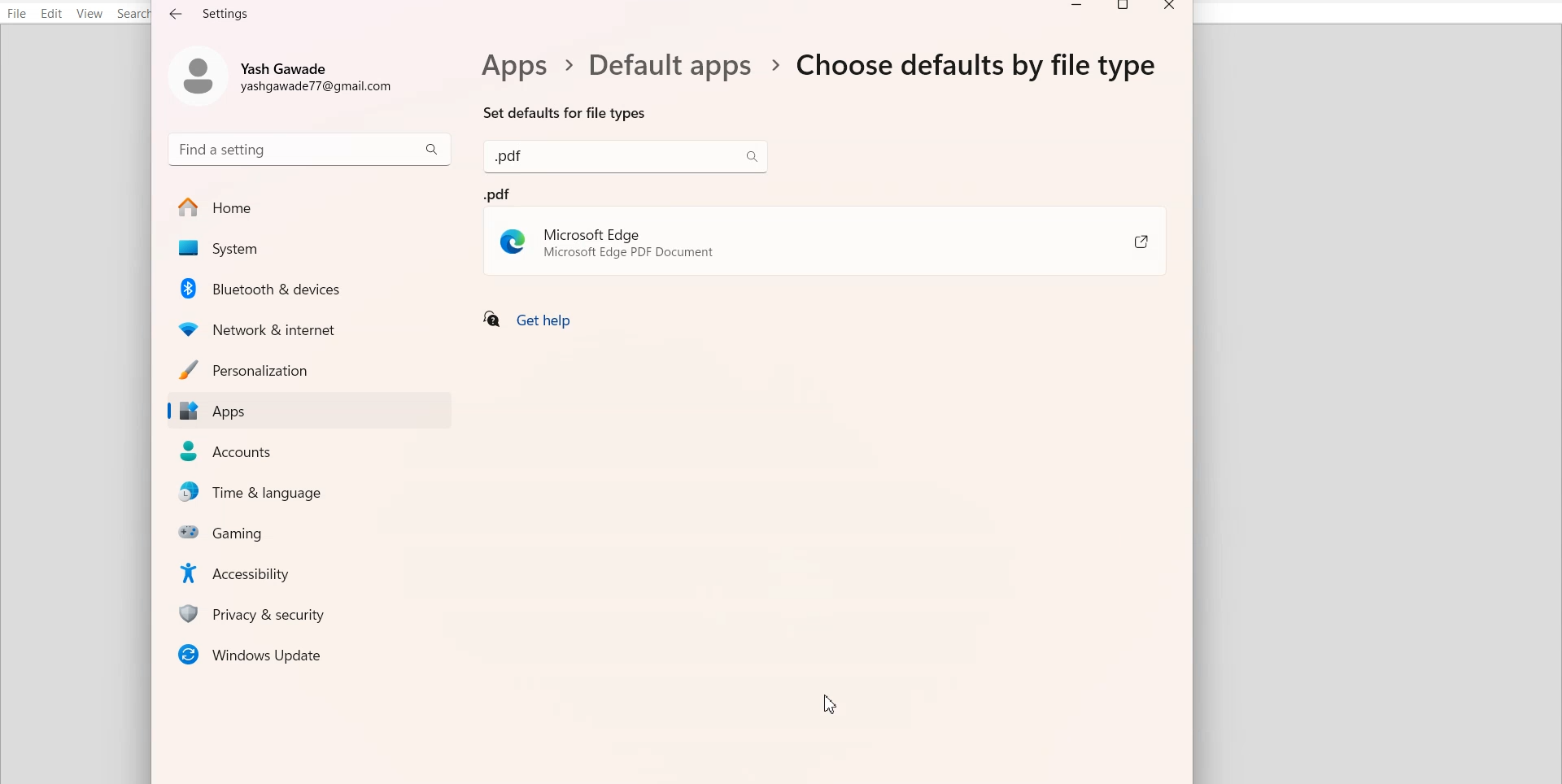 The image size is (1562, 784). What do you see at coordinates (831, 703) in the screenshot?
I see `Cursor` at bounding box center [831, 703].